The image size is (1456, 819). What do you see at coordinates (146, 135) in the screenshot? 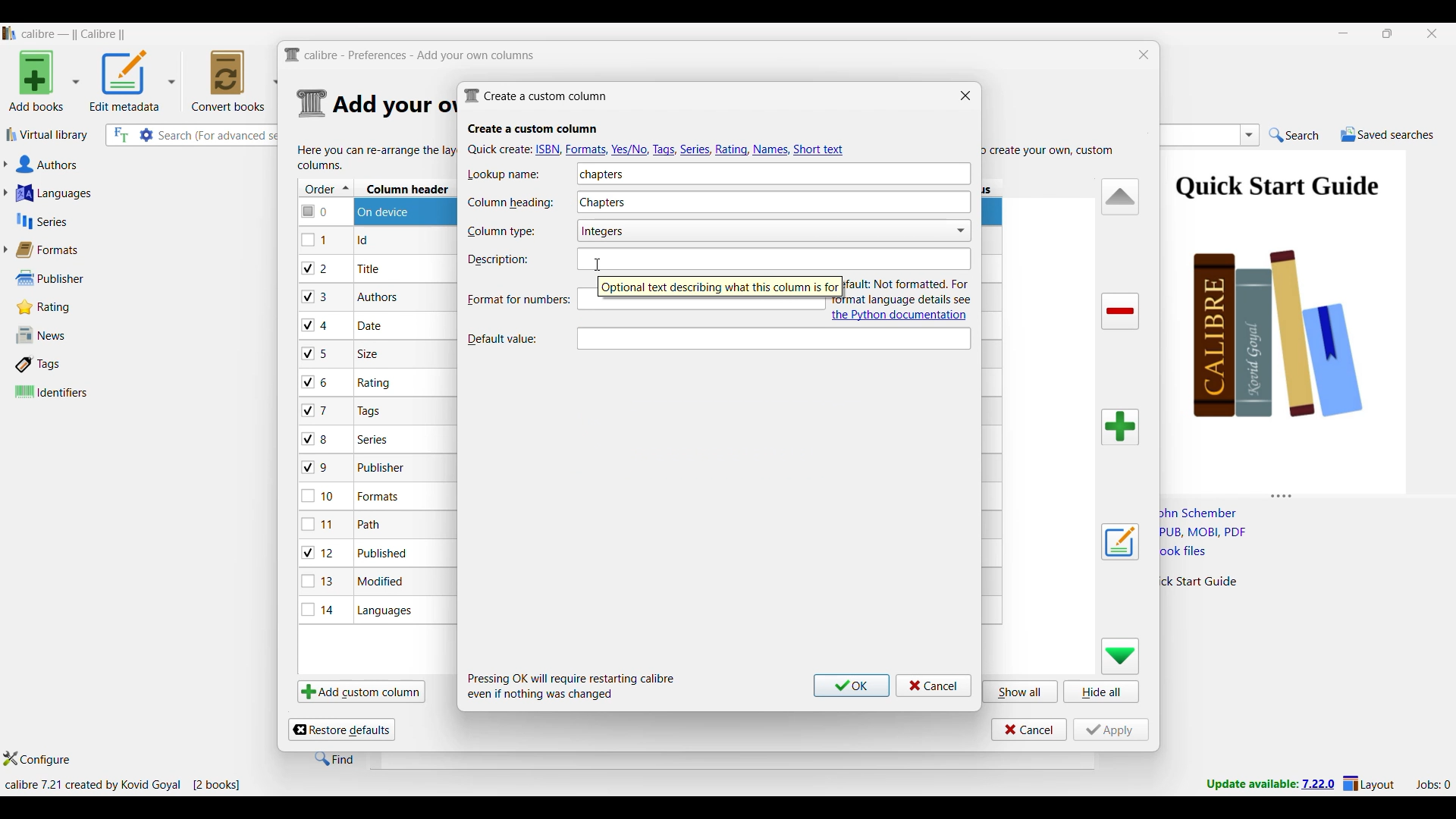
I see `Advanced search` at bounding box center [146, 135].